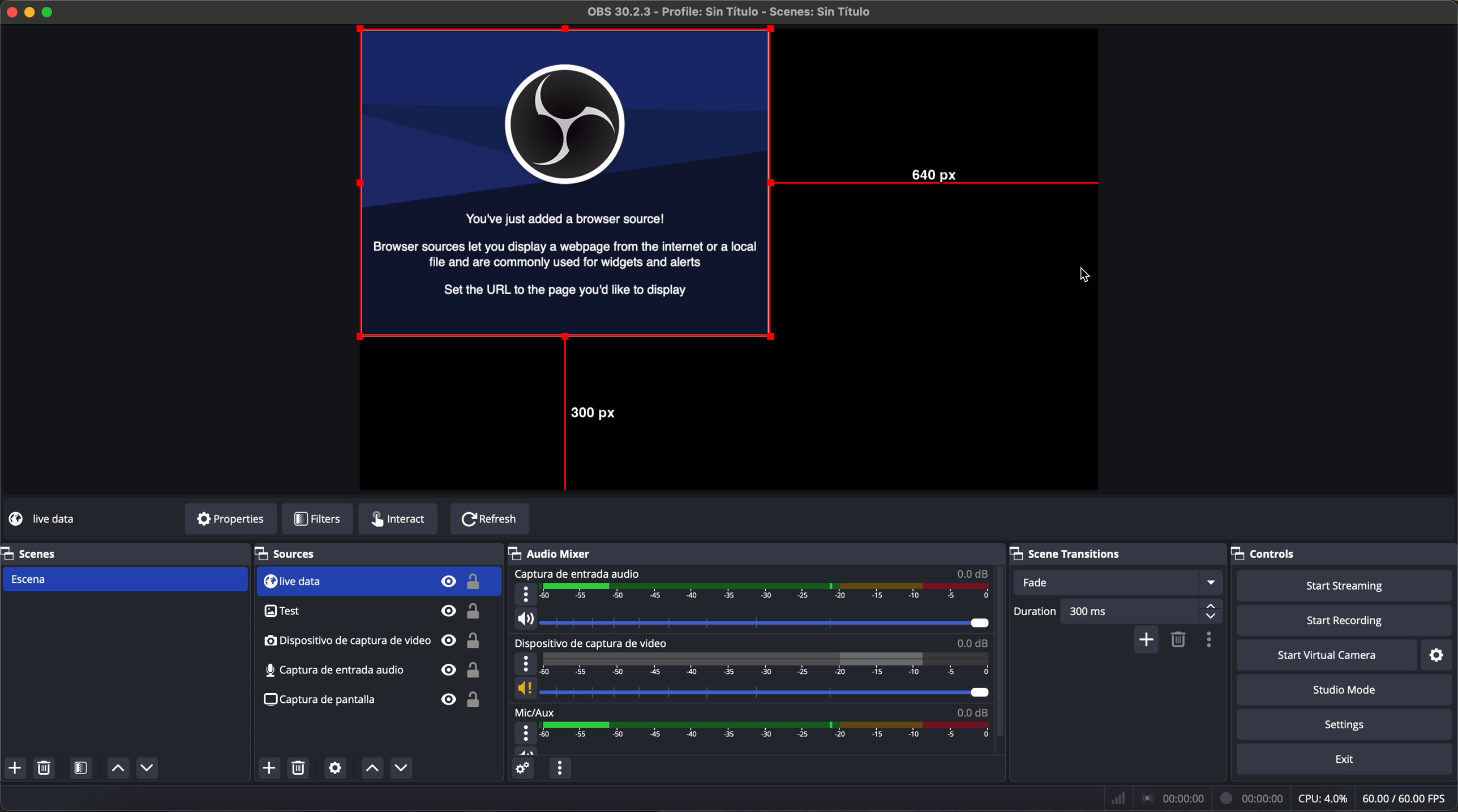  What do you see at coordinates (374, 670) in the screenshot?
I see `screenshot` at bounding box center [374, 670].